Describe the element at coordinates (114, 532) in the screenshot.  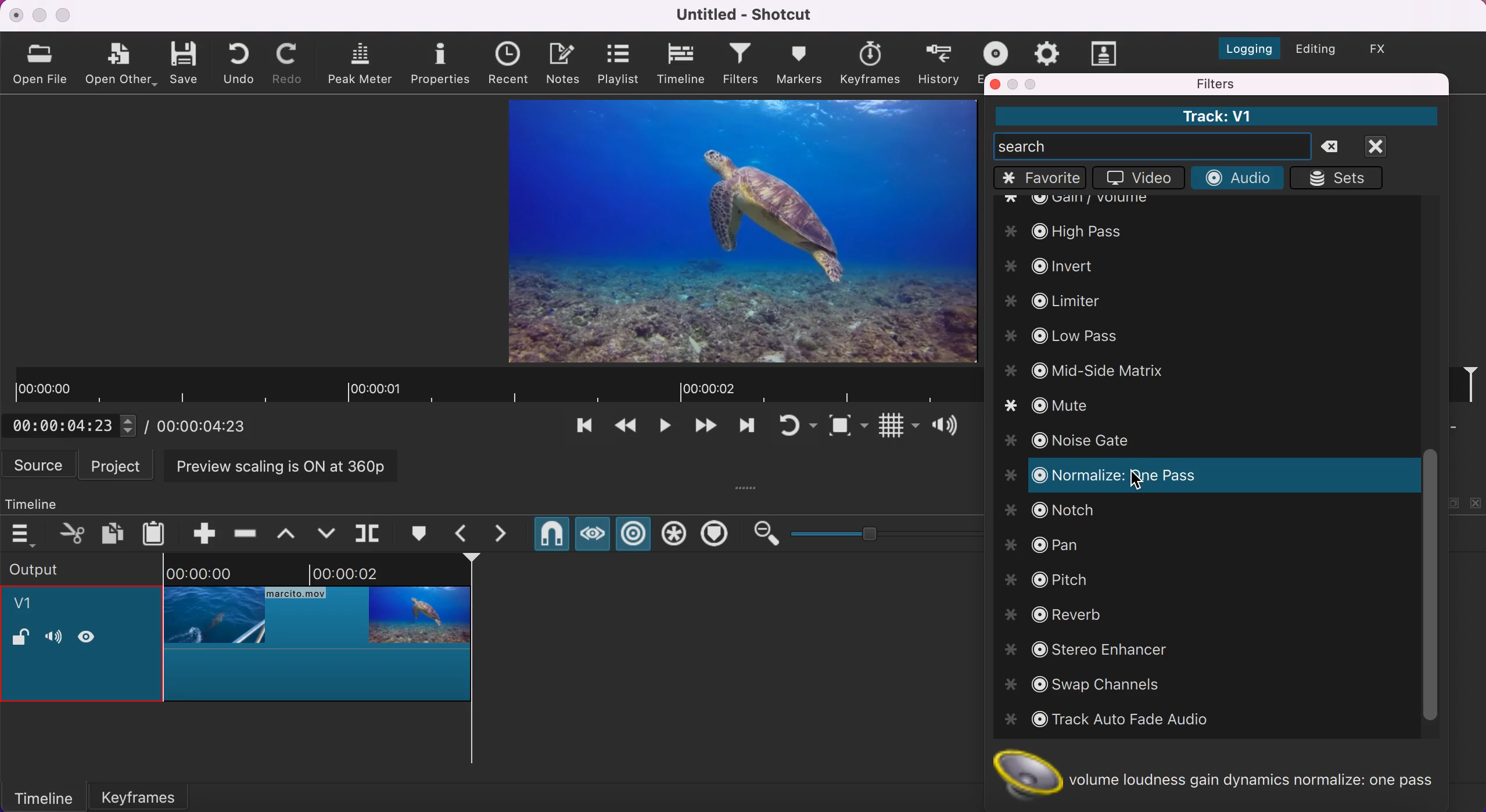
I see `copy` at that location.